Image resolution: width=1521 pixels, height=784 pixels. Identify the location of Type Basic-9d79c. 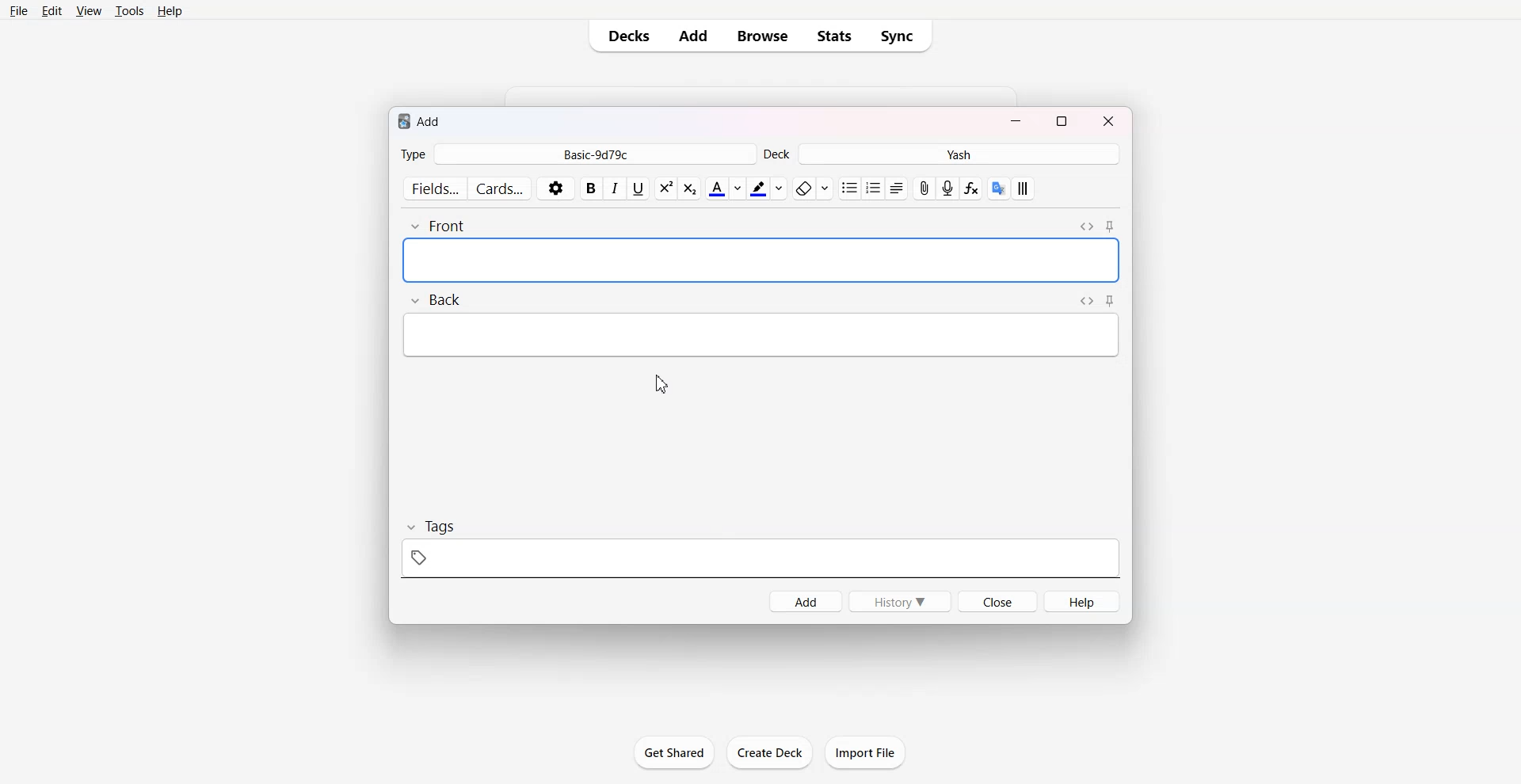
(577, 154).